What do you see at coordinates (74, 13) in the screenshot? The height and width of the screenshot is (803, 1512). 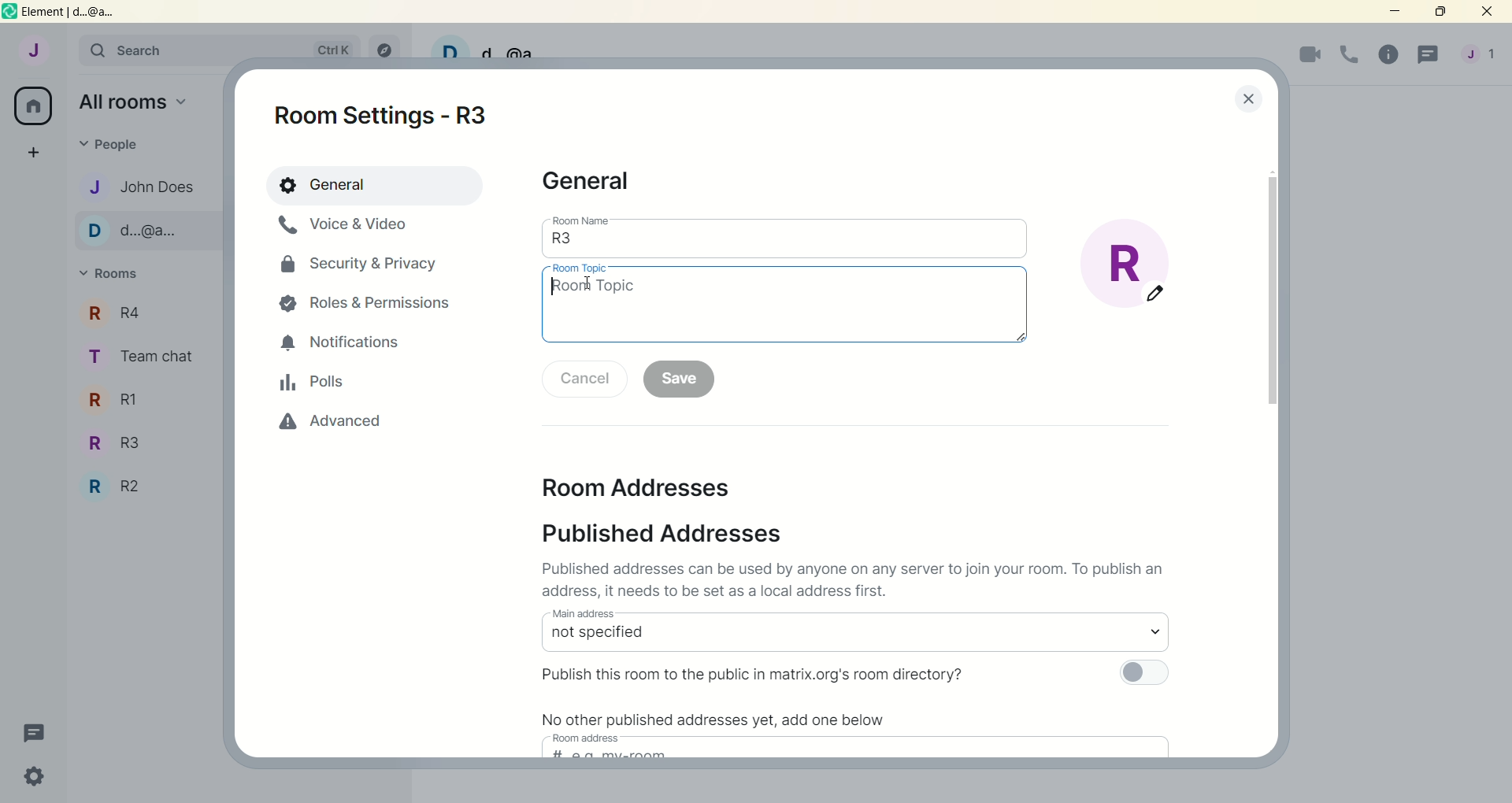 I see `element` at bounding box center [74, 13].